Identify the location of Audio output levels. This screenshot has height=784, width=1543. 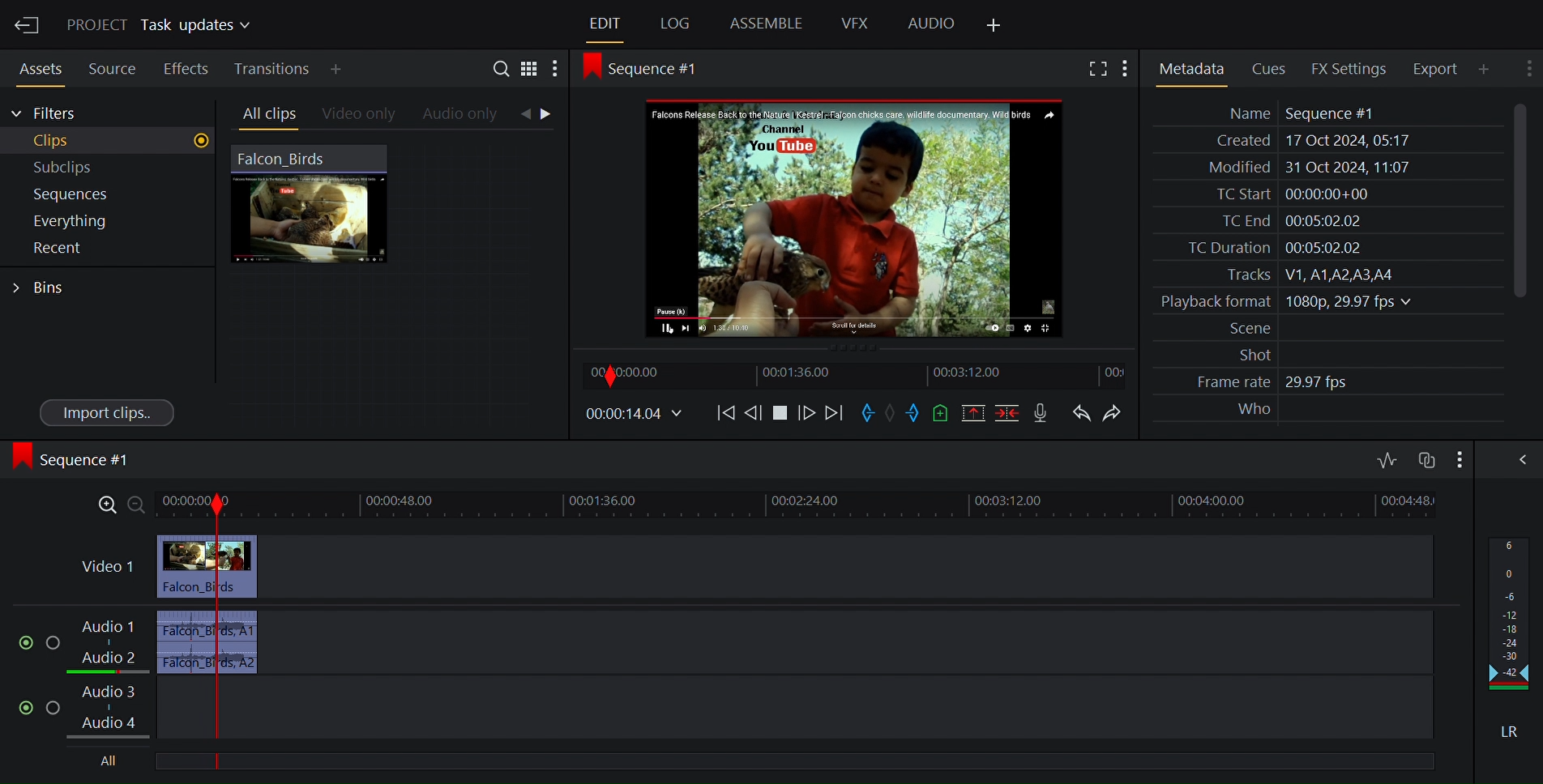
(1510, 612).